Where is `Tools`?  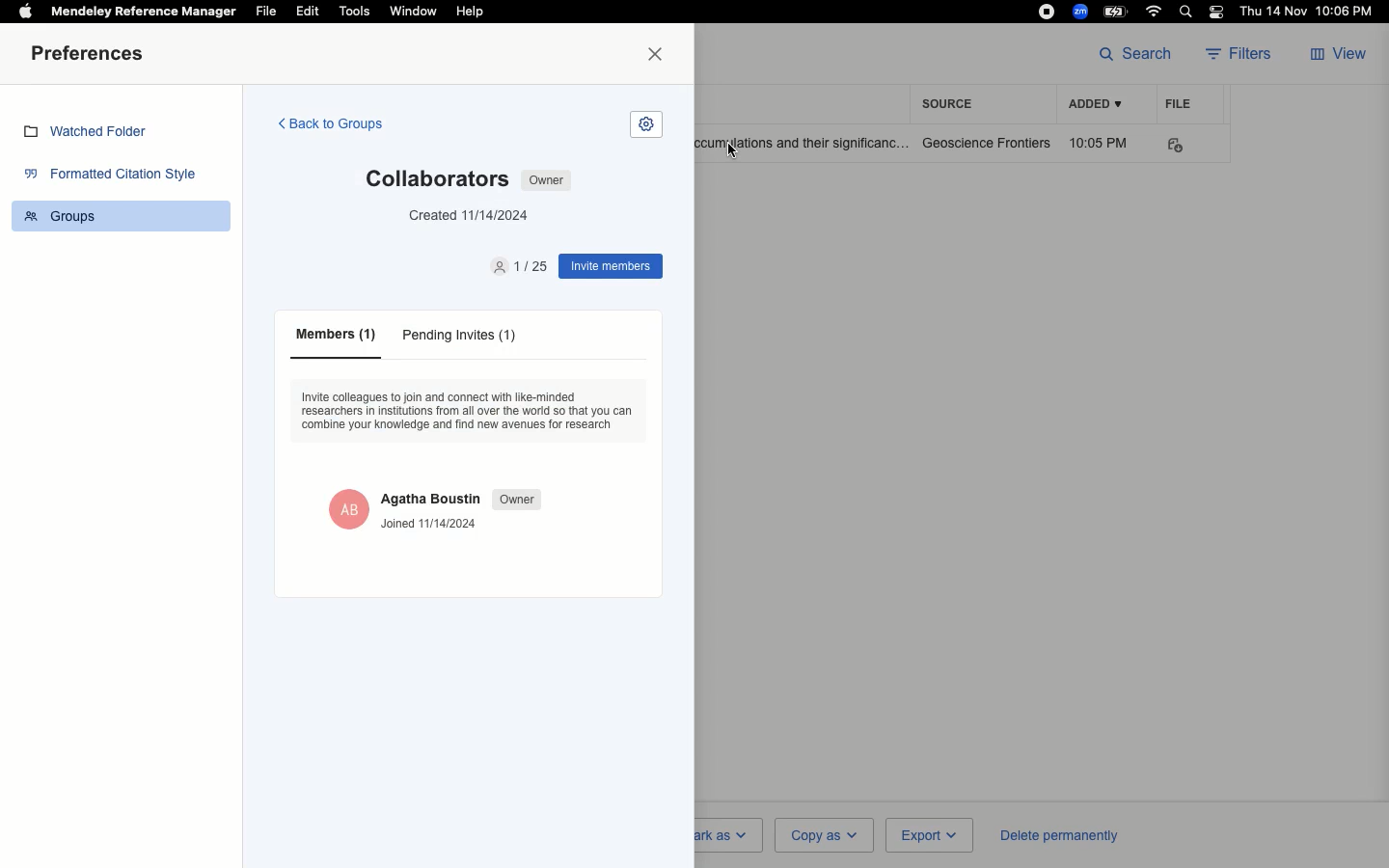
Tools is located at coordinates (355, 12).